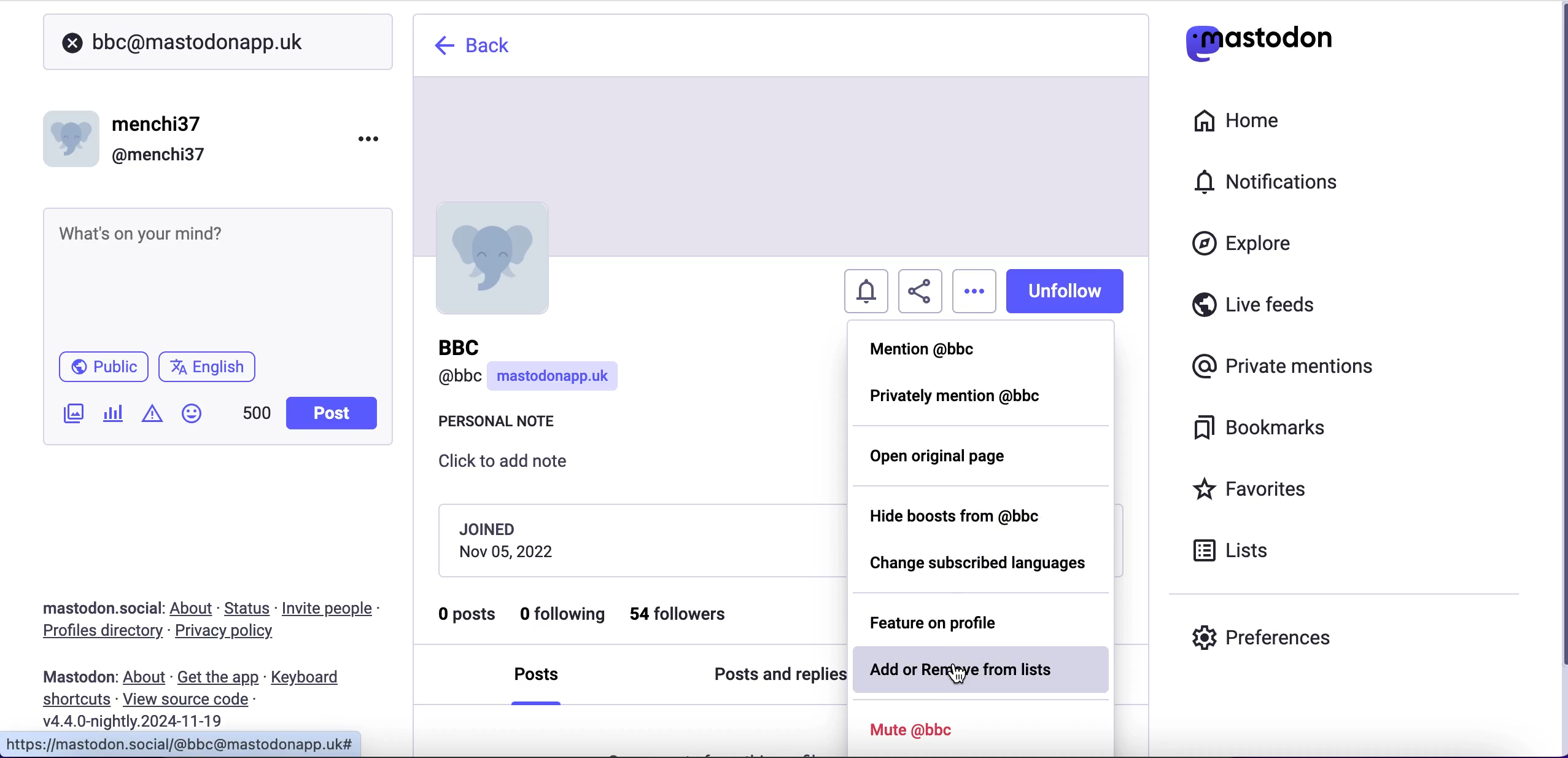 This screenshot has width=1568, height=758. I want to click on menu options, so click(373, 138).